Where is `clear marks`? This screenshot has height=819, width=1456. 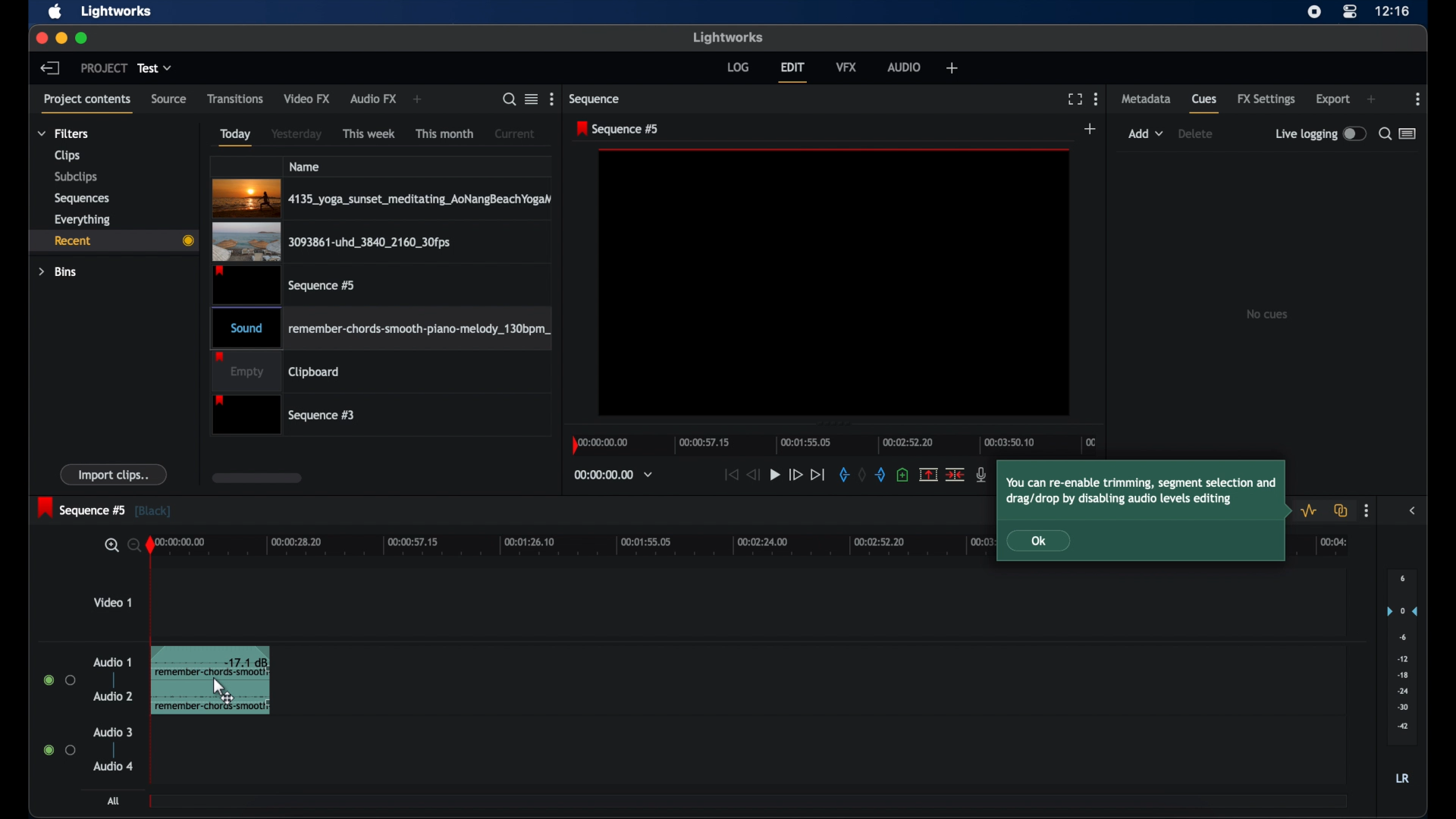 clear marks is located at coordinates (861, 475).